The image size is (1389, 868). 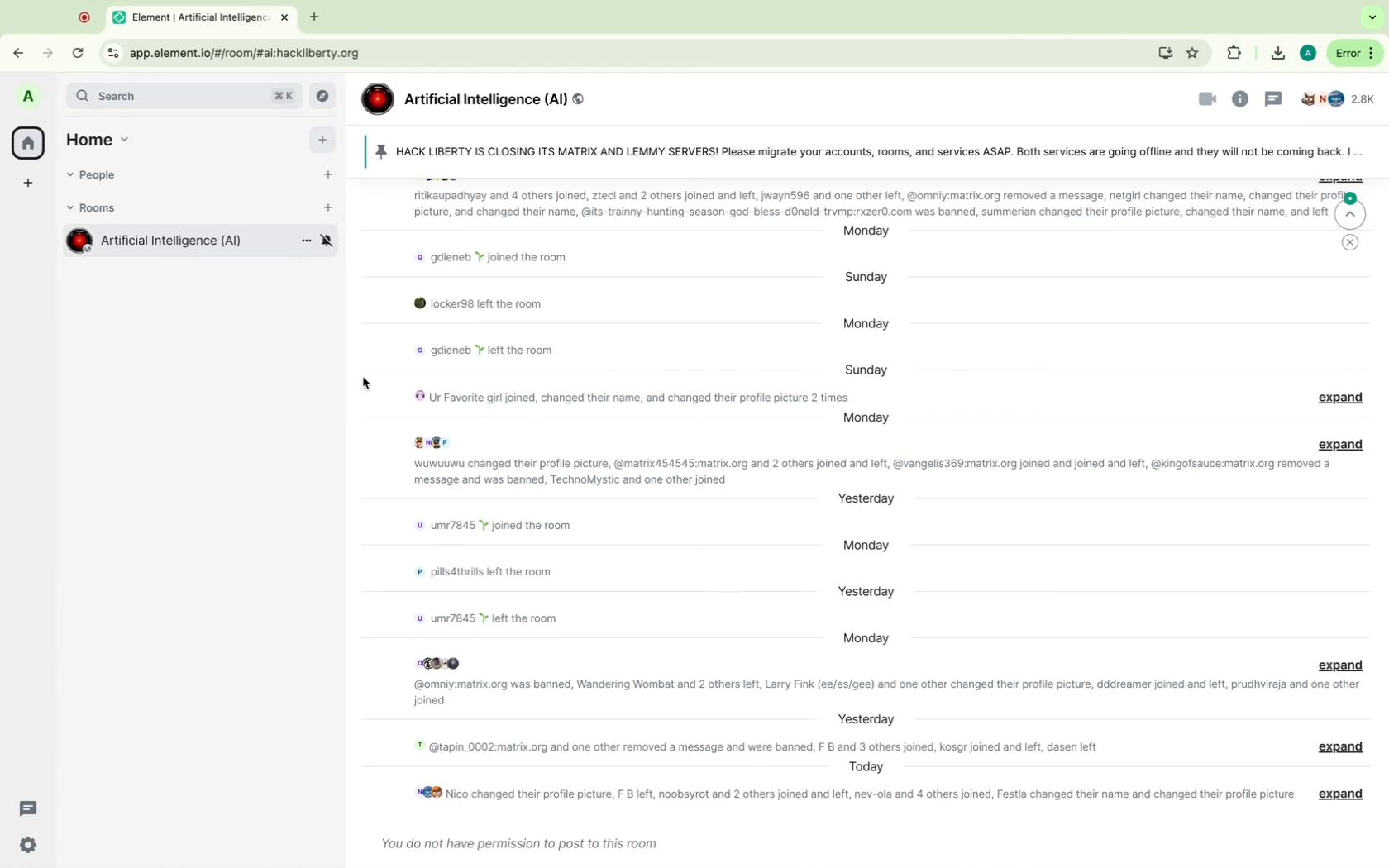 What do you see at coordinates (45, 52) in the screenshot?
I see `forward` at bounding box center [45, 52].